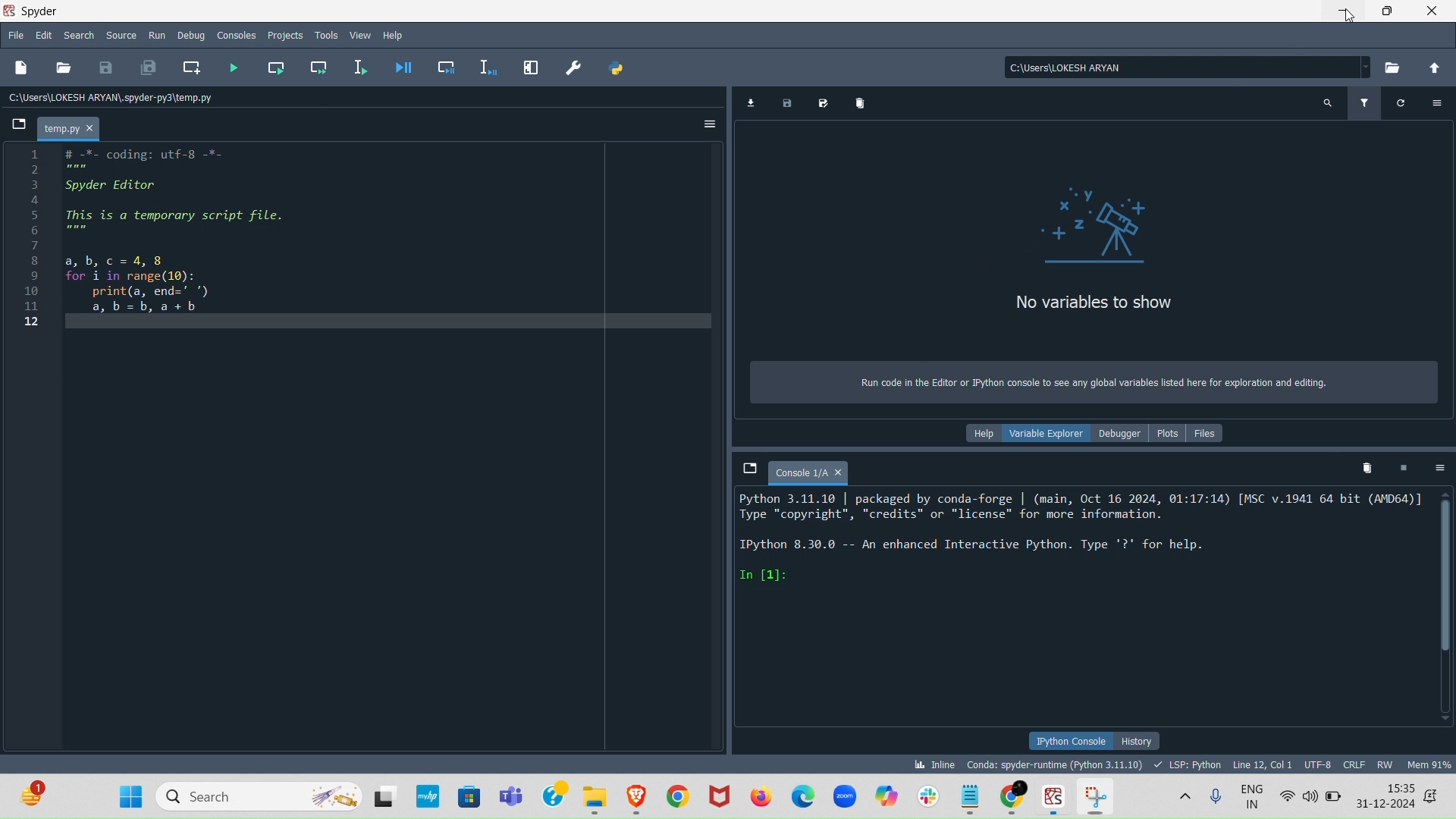 The image size is (1456, 819). I want to click on Text, so click(1088, 387).